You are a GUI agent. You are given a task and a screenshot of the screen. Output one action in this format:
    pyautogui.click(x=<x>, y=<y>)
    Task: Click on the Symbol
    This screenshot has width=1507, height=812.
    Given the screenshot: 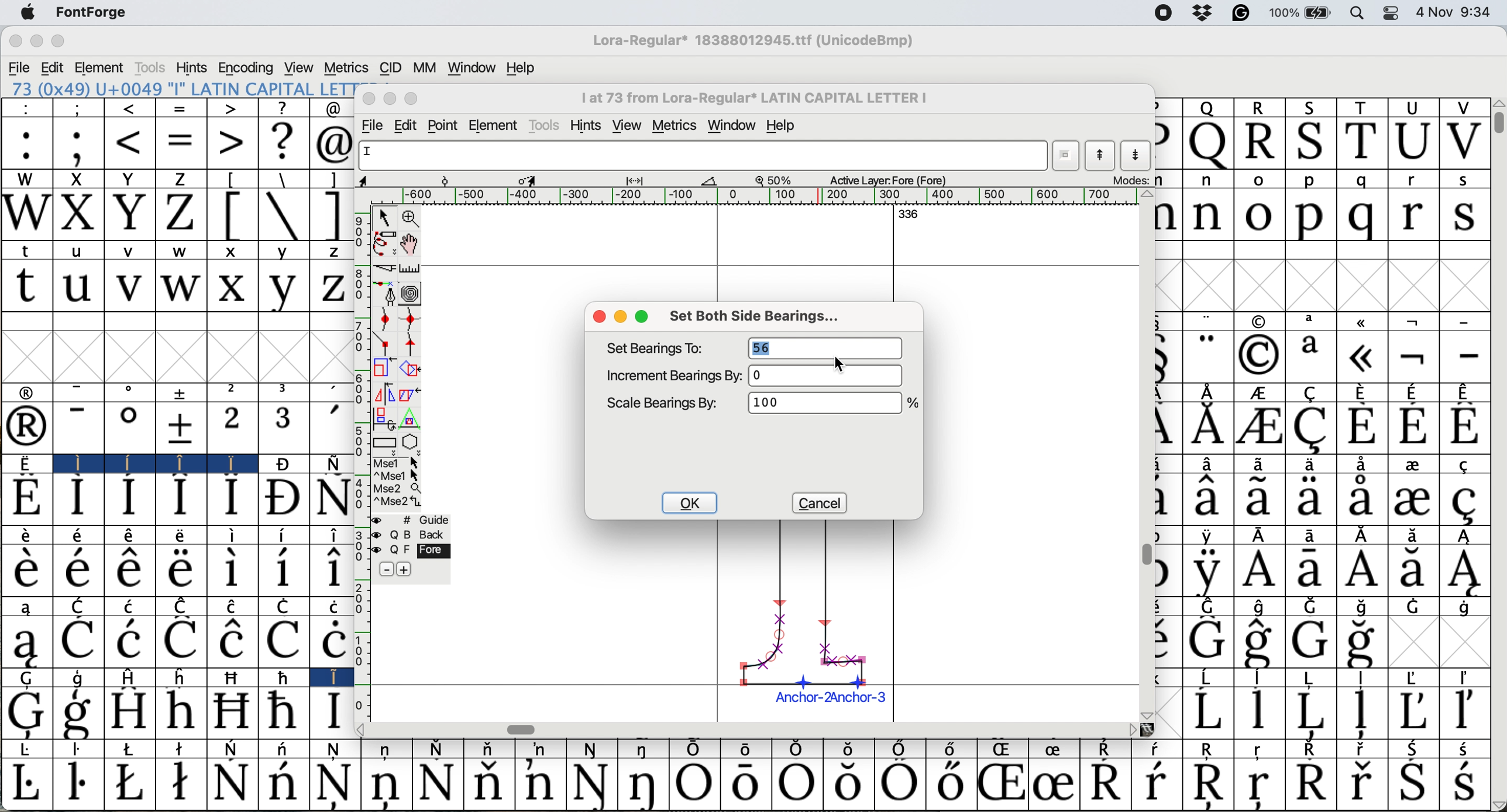 What is the action you would take?
    pyautogui.click(x=387, y=784)
    